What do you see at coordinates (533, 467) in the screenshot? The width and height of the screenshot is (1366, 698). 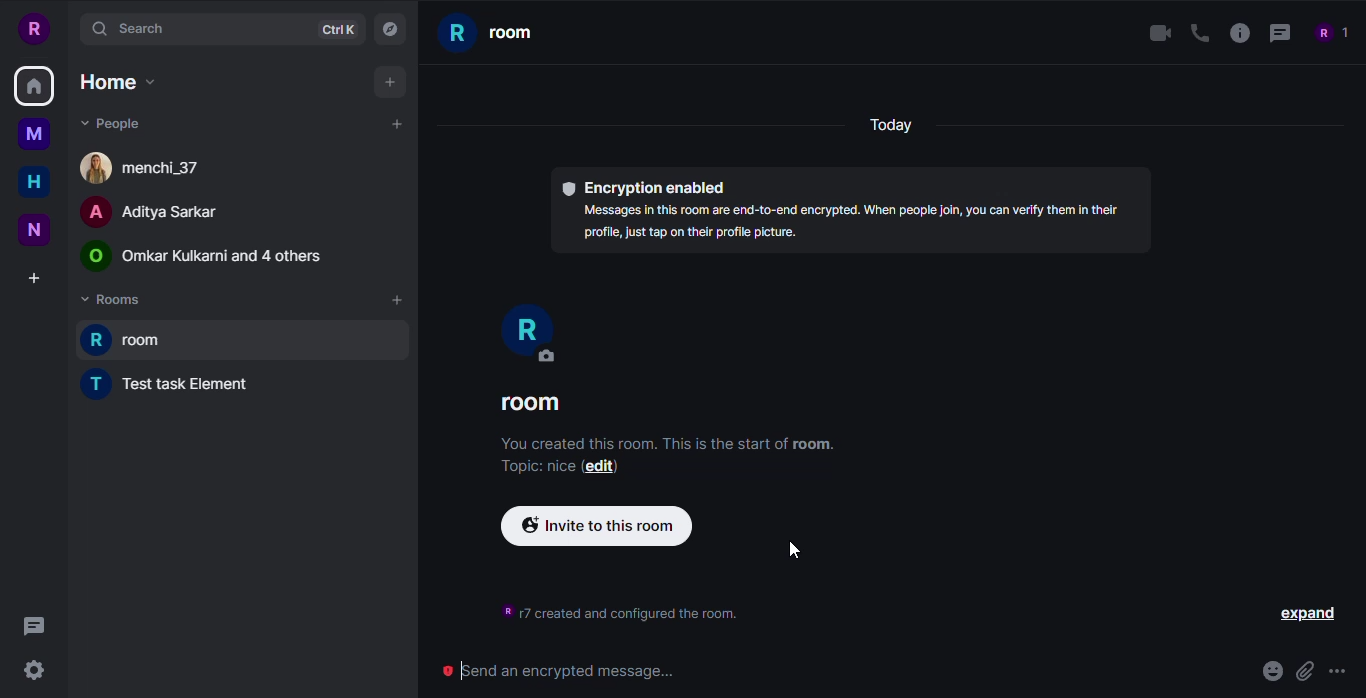 I see `topic` at bounding box center [533, 467].